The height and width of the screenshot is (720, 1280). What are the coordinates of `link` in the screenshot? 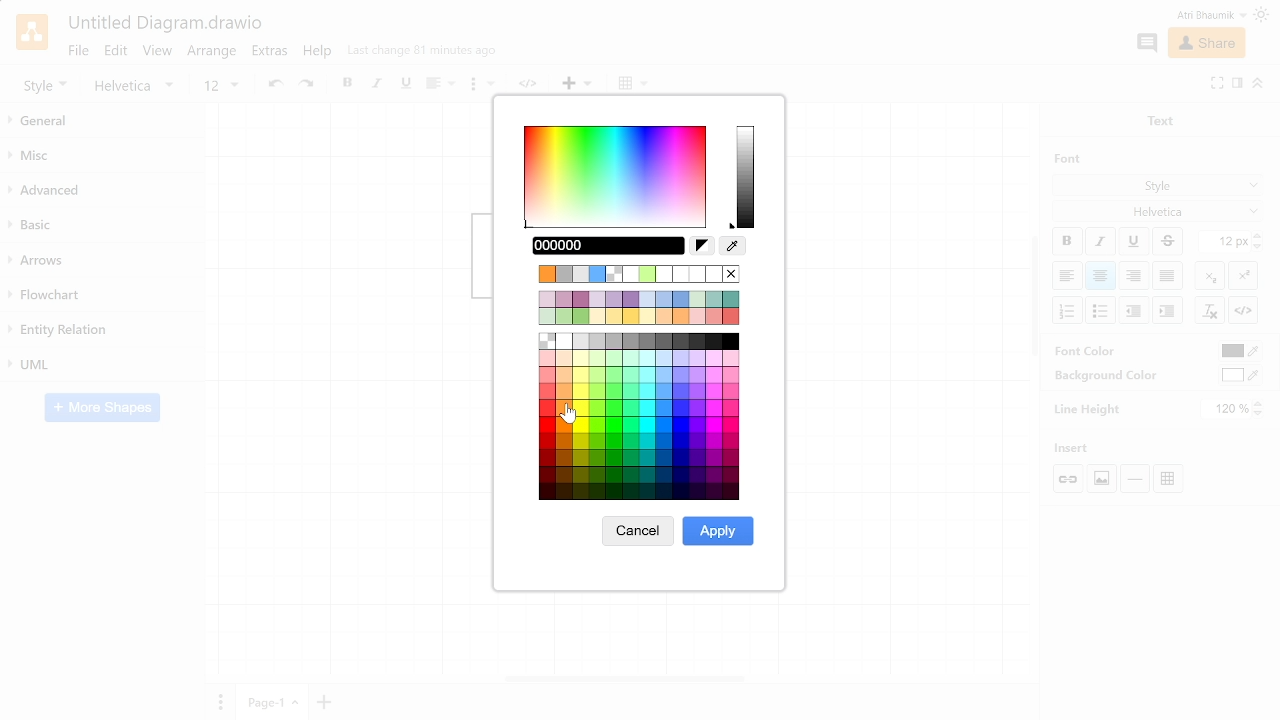 It's located at (532, 85).